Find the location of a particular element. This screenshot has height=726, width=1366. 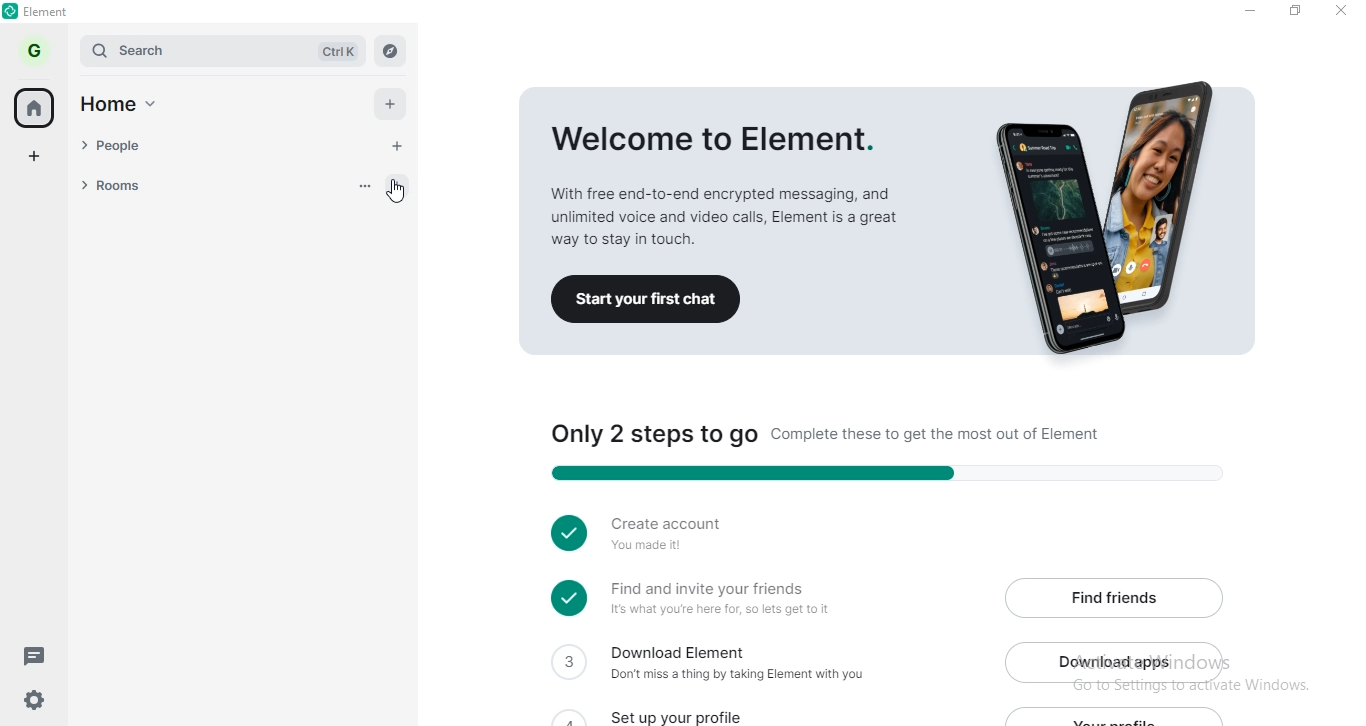

home is located at coordinates (37, 107).